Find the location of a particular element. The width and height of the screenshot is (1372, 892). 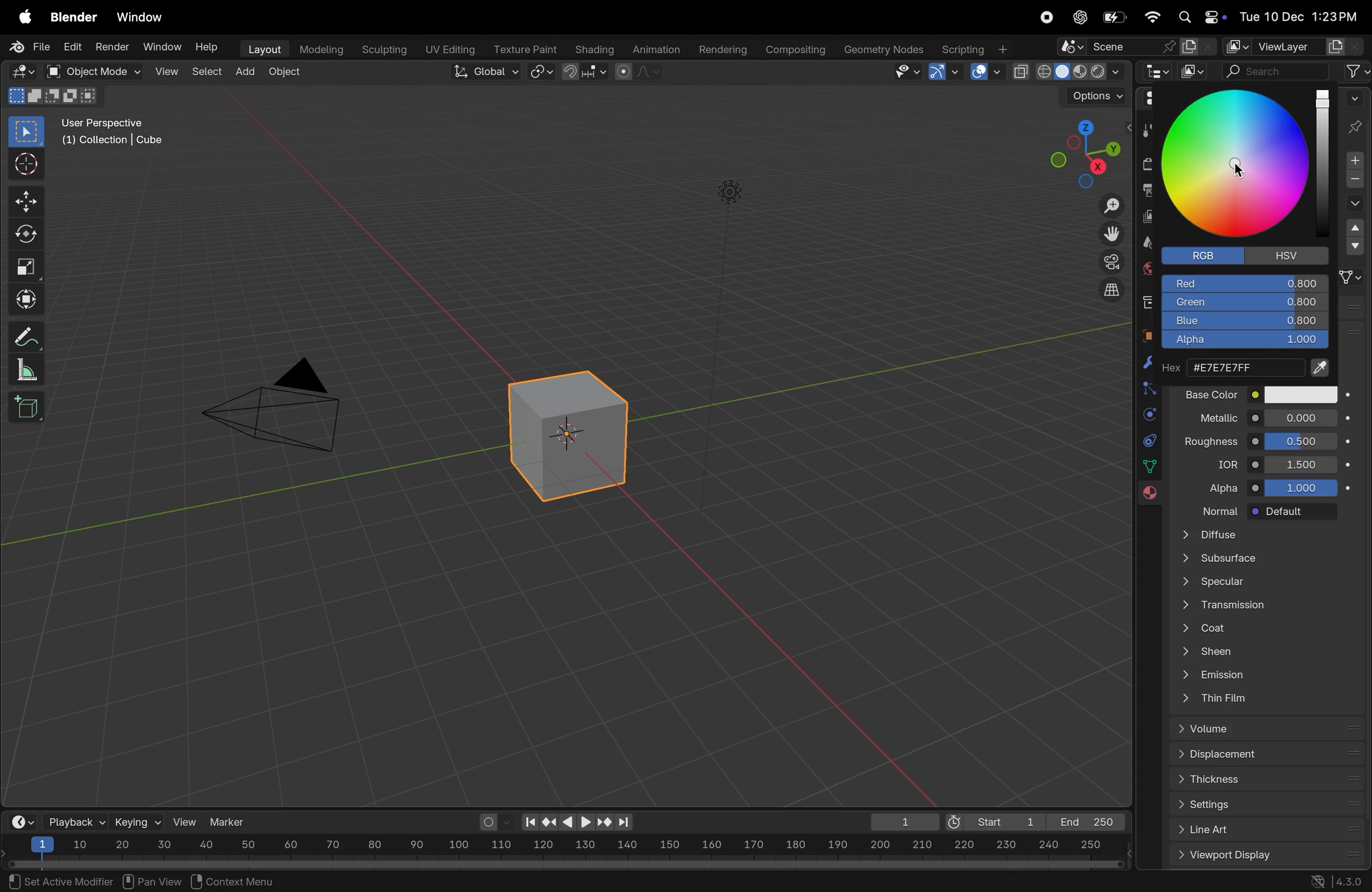

displacement is located at coordinates (1269, 755).